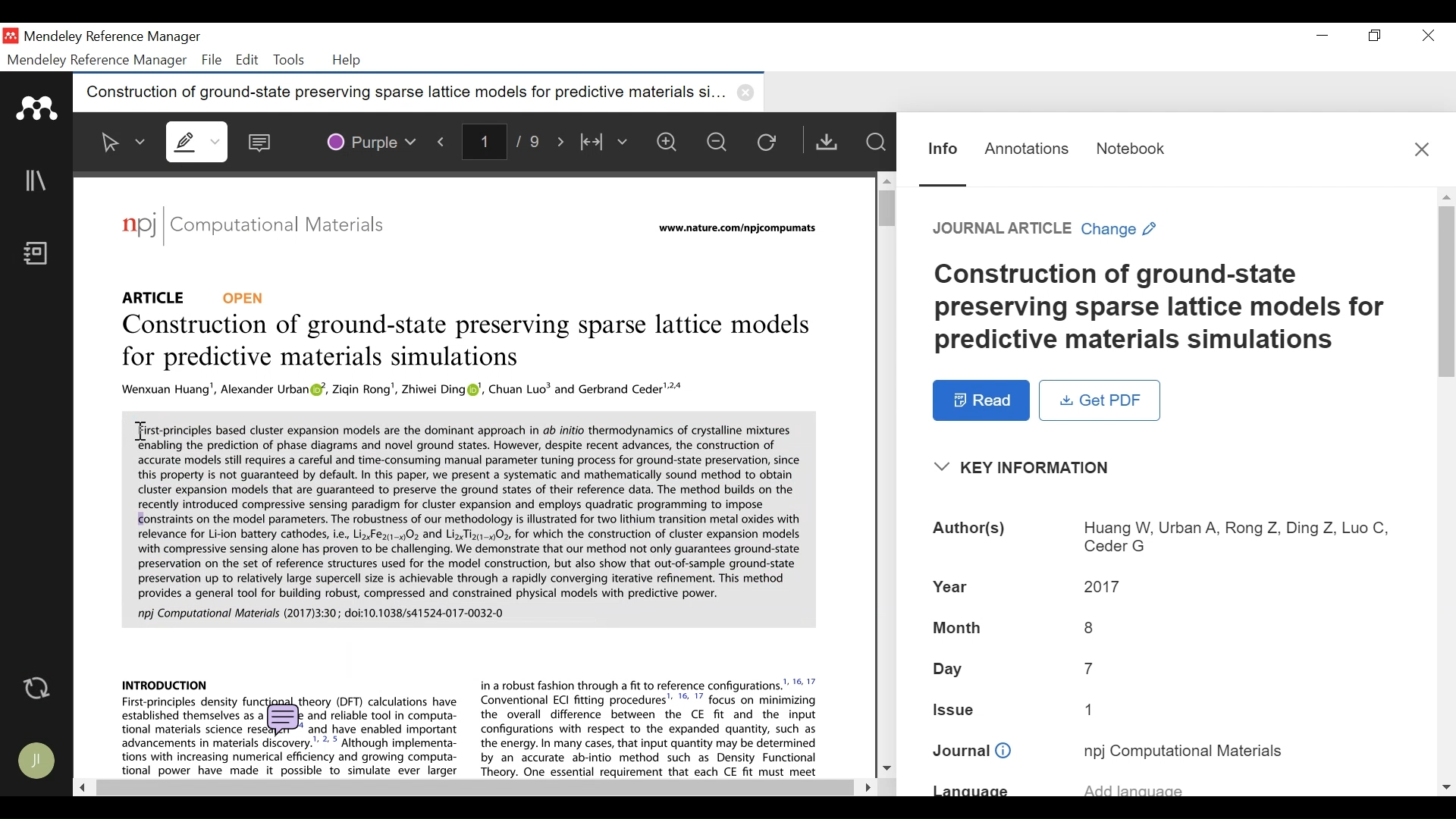  Describe the element at coordinates (38, 688) in the screenshot. I see `Sync` at that location.